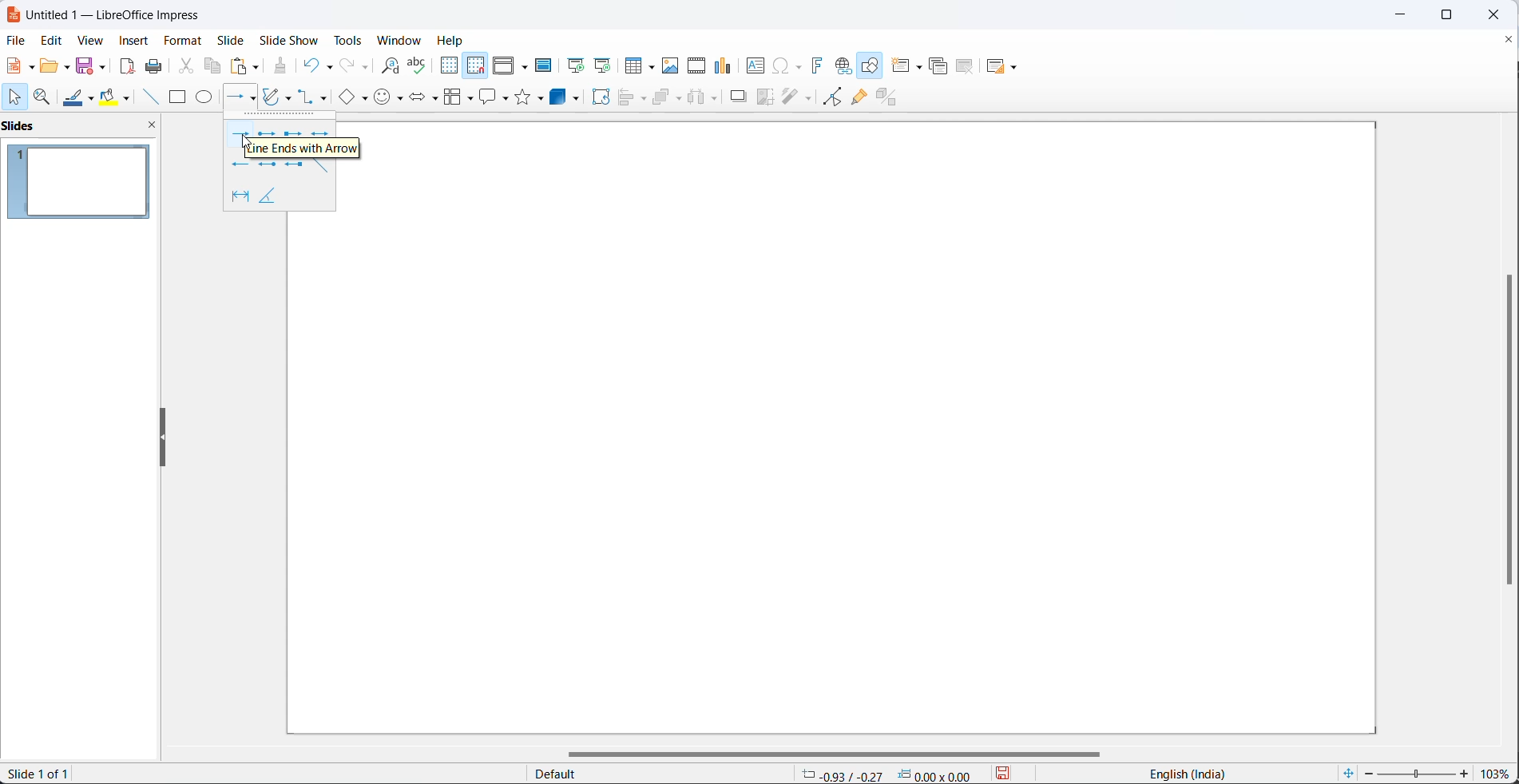  What do you see at coordinates (129, 68) in the screenshot?
I see `export as pdf` at bounding box center [129, 68].